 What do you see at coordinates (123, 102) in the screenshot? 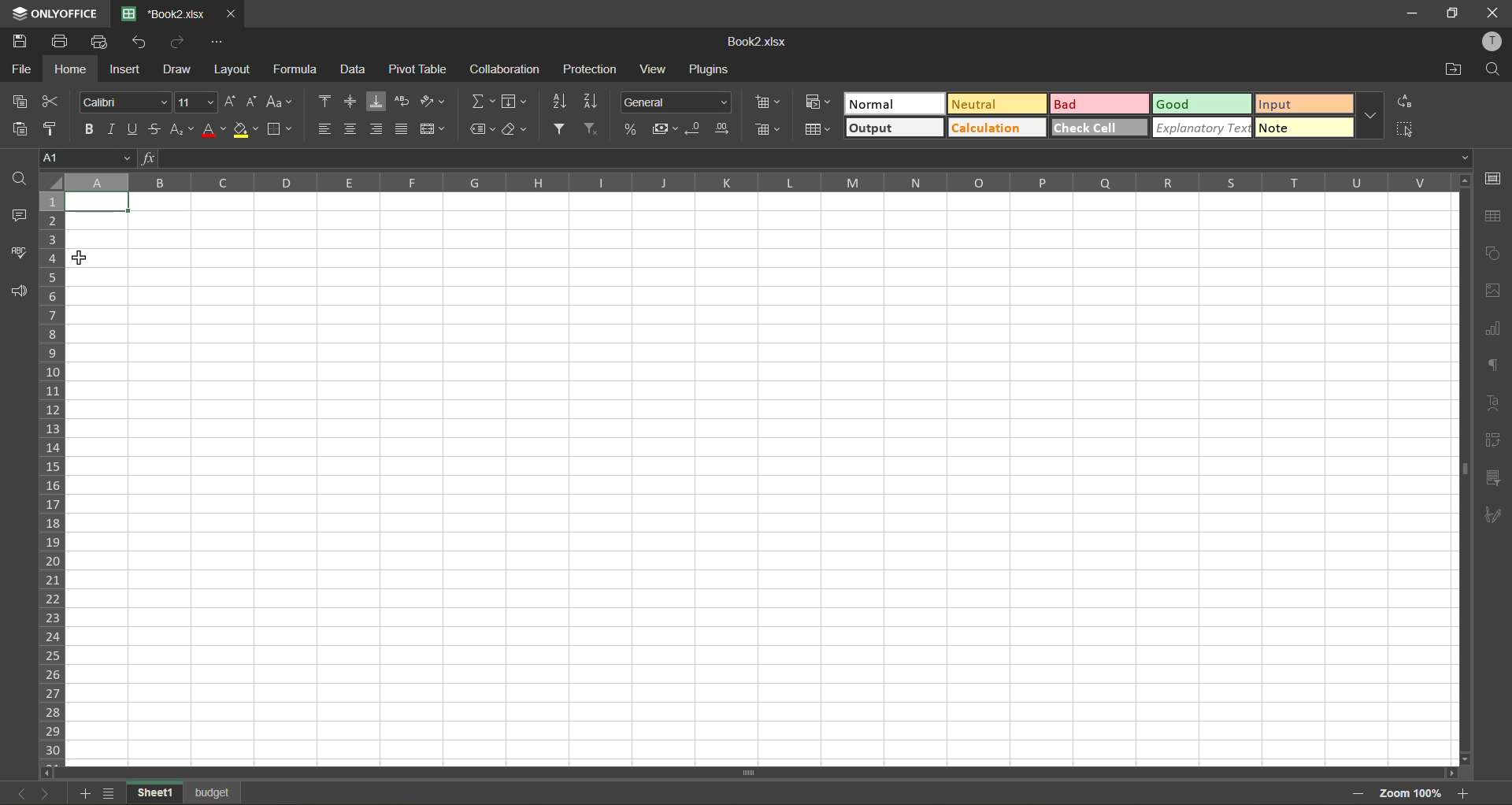
I see `font style` at bounding box center [123, 102].